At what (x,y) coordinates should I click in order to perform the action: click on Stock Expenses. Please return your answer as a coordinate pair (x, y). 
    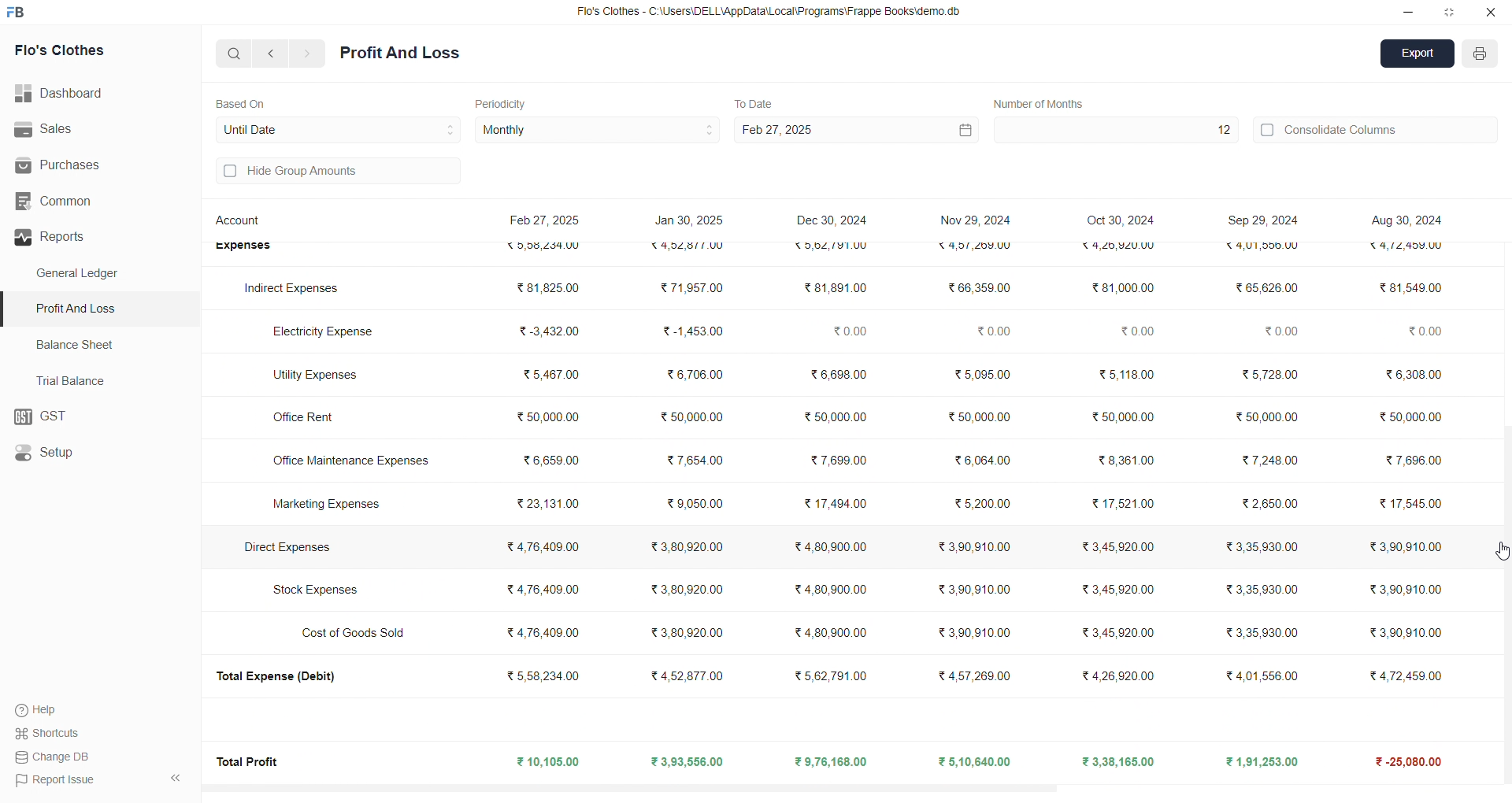
    Looking at the image, I should click on (316, 590).